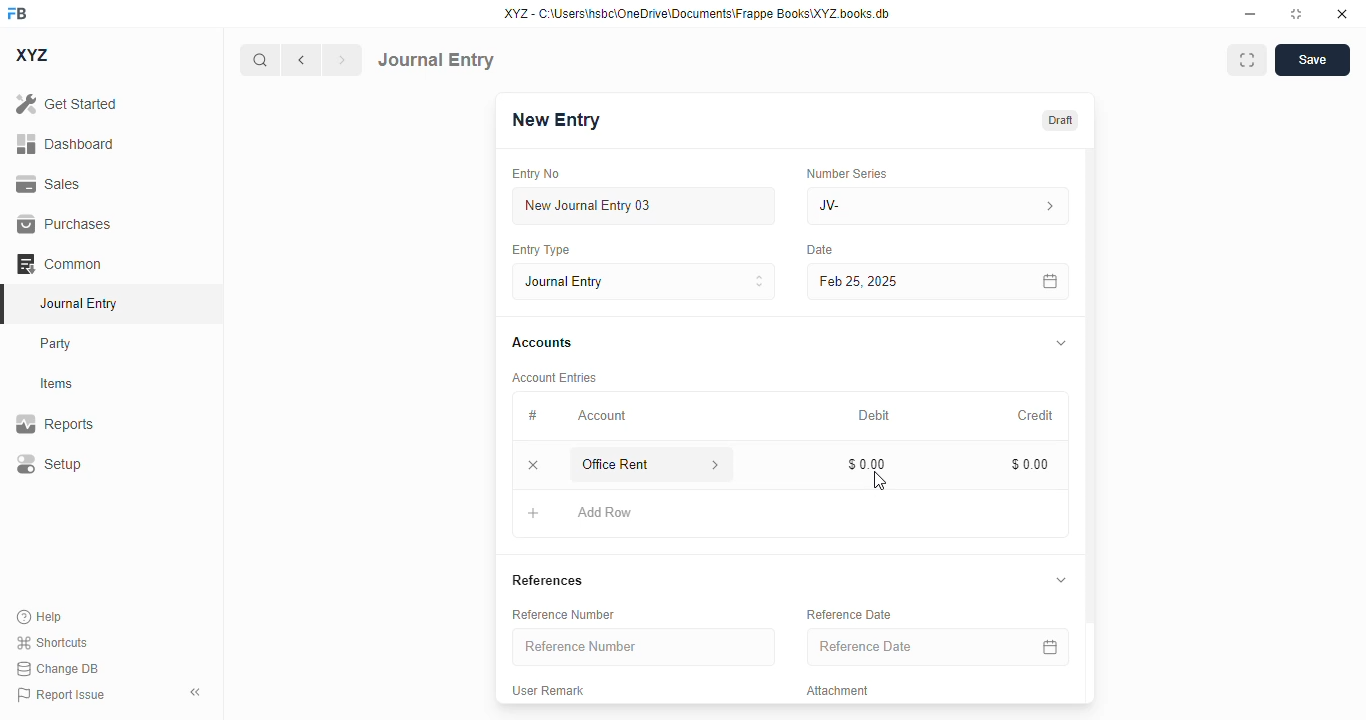 The width and height of the screenshot is (1366, 720). I want to click on XYZ, so click(33, 55).